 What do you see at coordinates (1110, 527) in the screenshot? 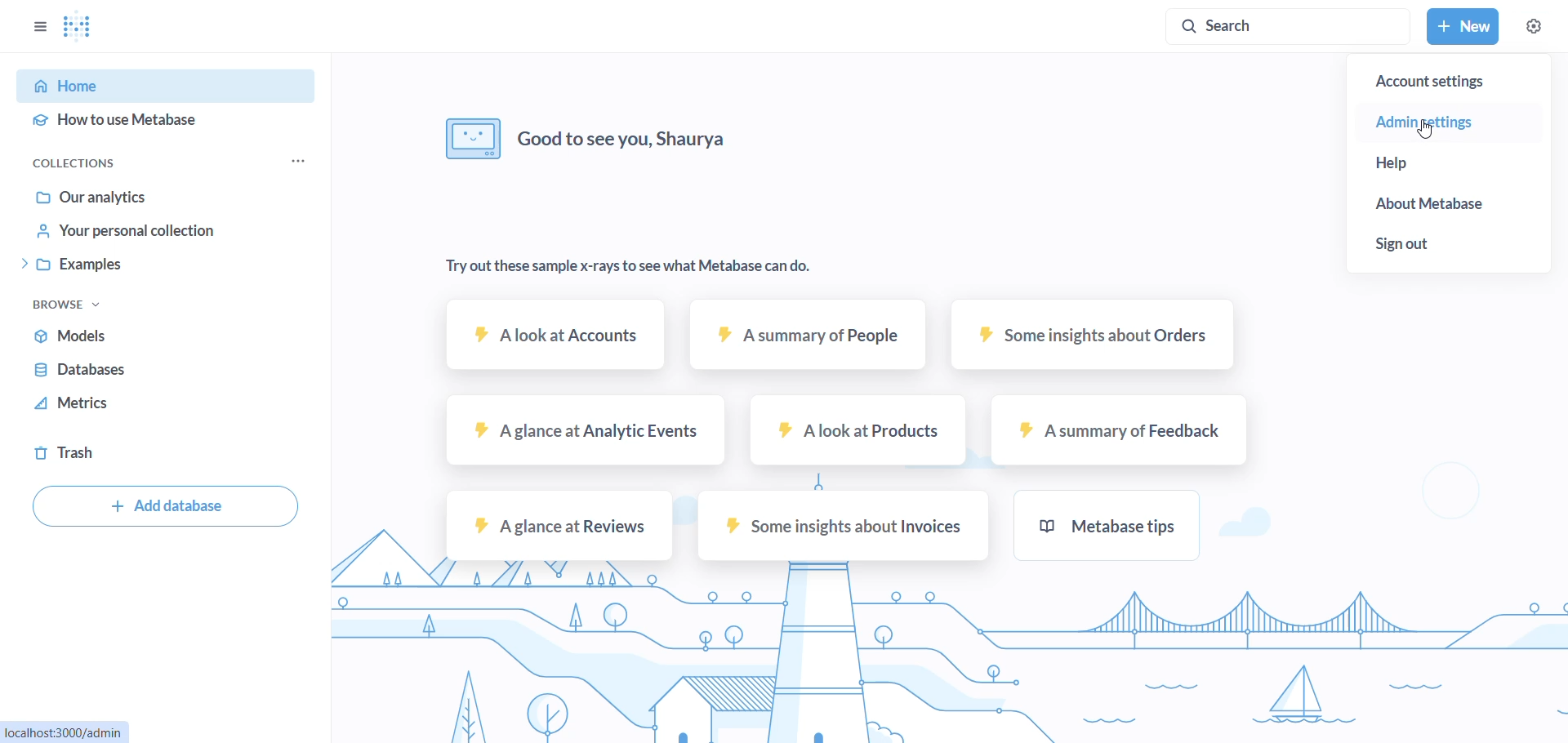
I see `metabase tips sample` at bounding box center [1110, 527].